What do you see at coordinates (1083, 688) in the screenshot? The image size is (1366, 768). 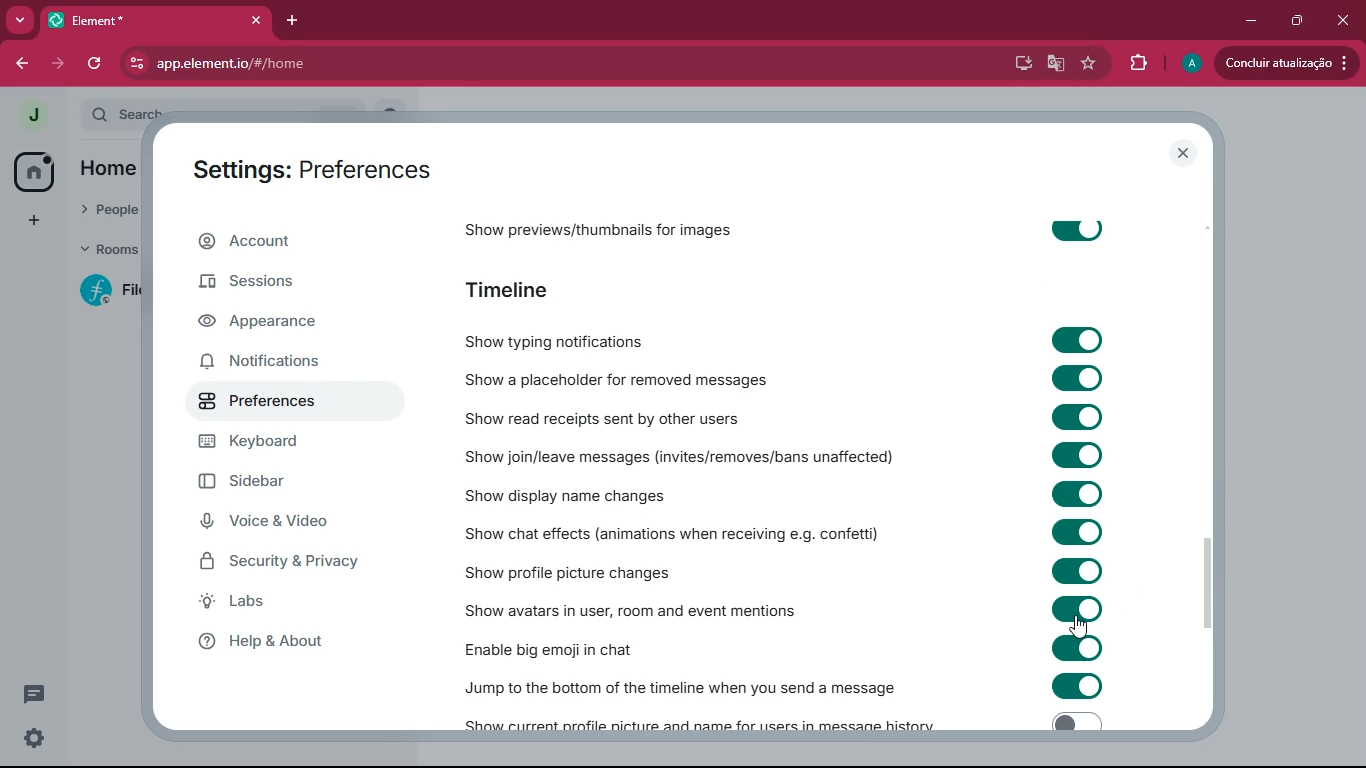 I see `toggle on ` at bounding box center [1083, 688].